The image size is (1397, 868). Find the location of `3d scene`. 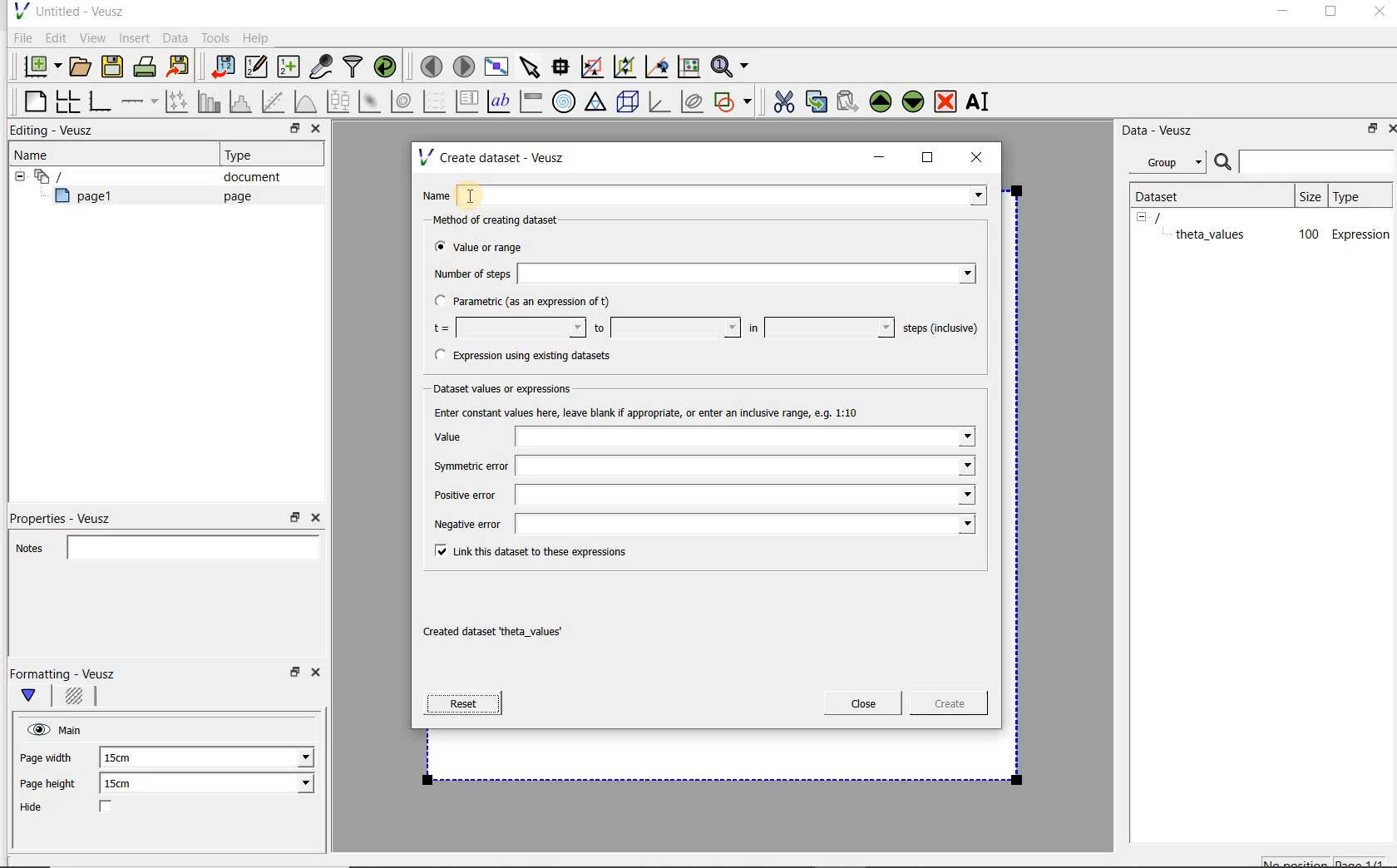

3d scene is located at coordinates (629, 103).